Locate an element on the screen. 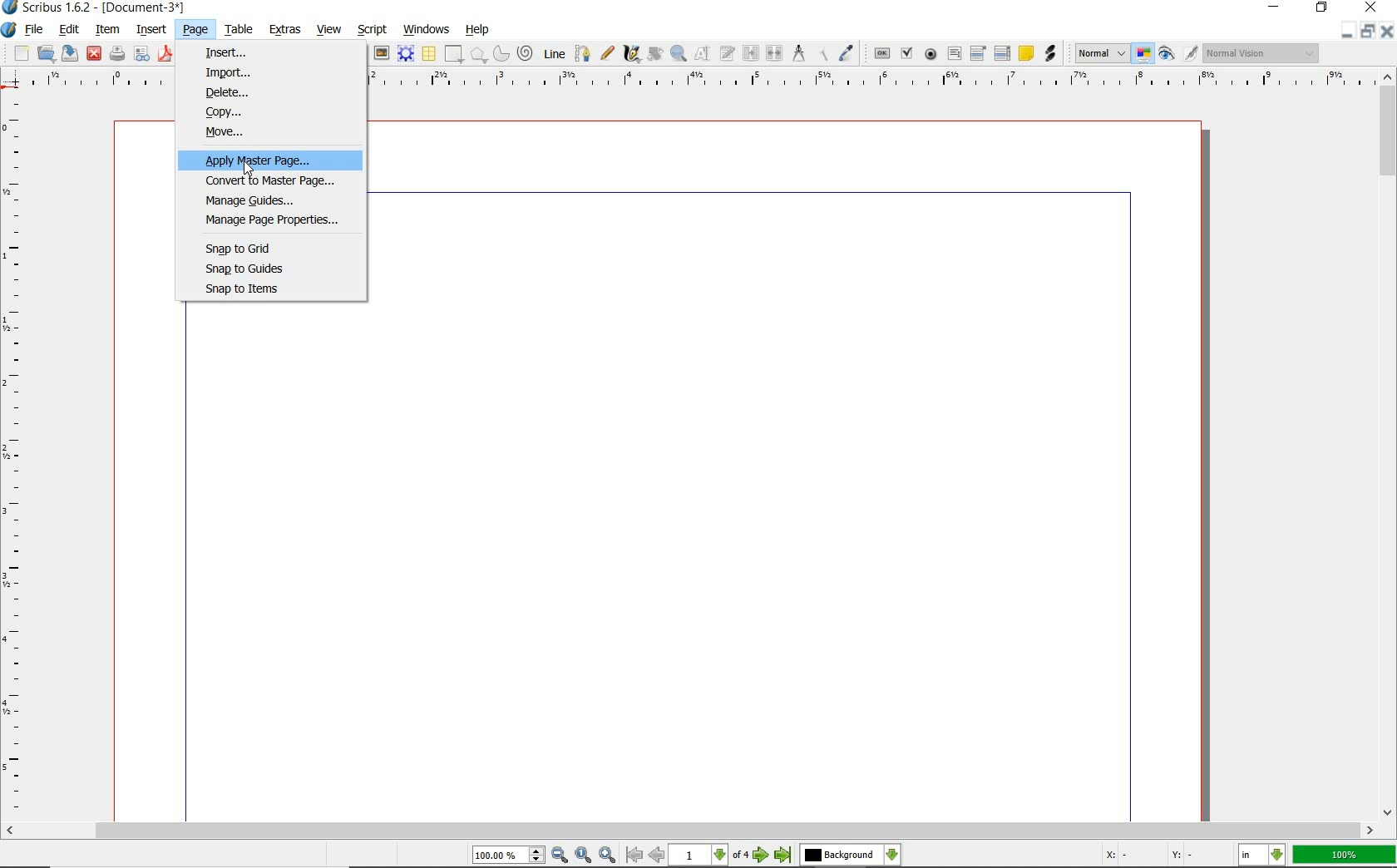 The image size is (1397, 868). rotate item is located at coordinates (654, 53).